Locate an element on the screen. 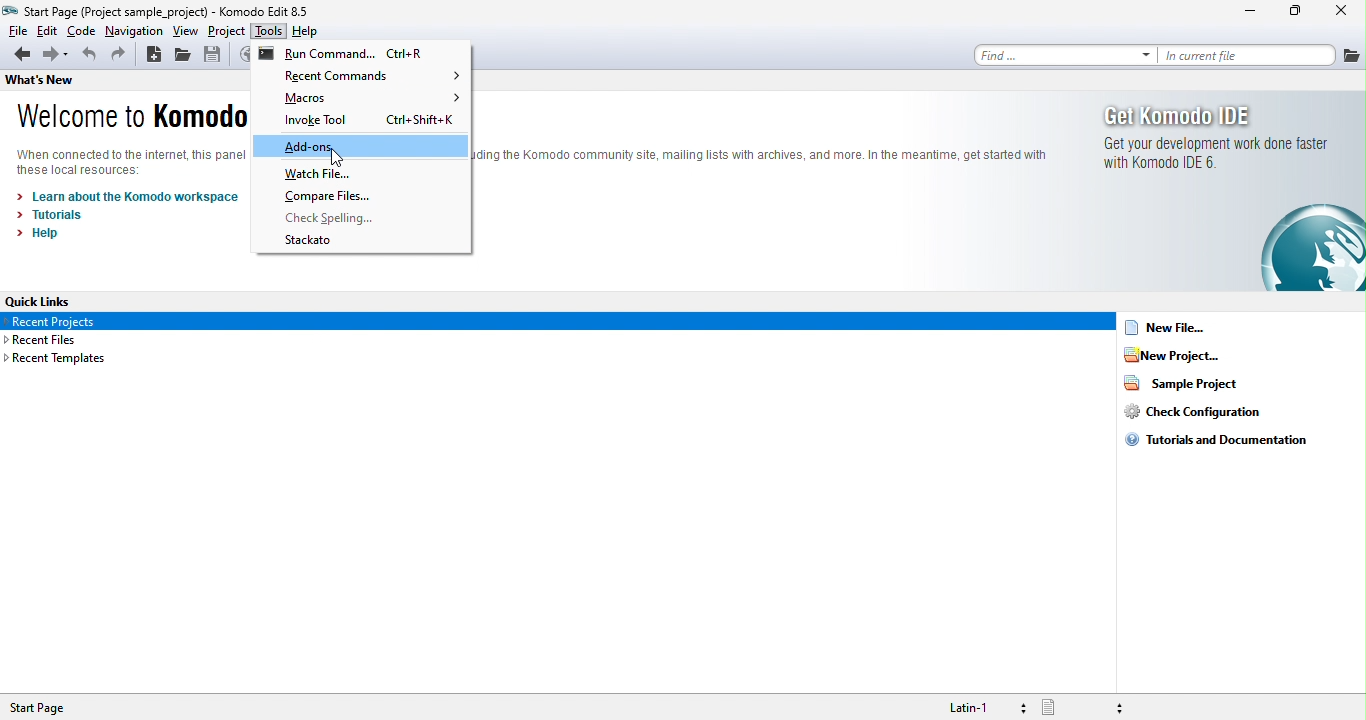  text is located at coordinates (762, 153).